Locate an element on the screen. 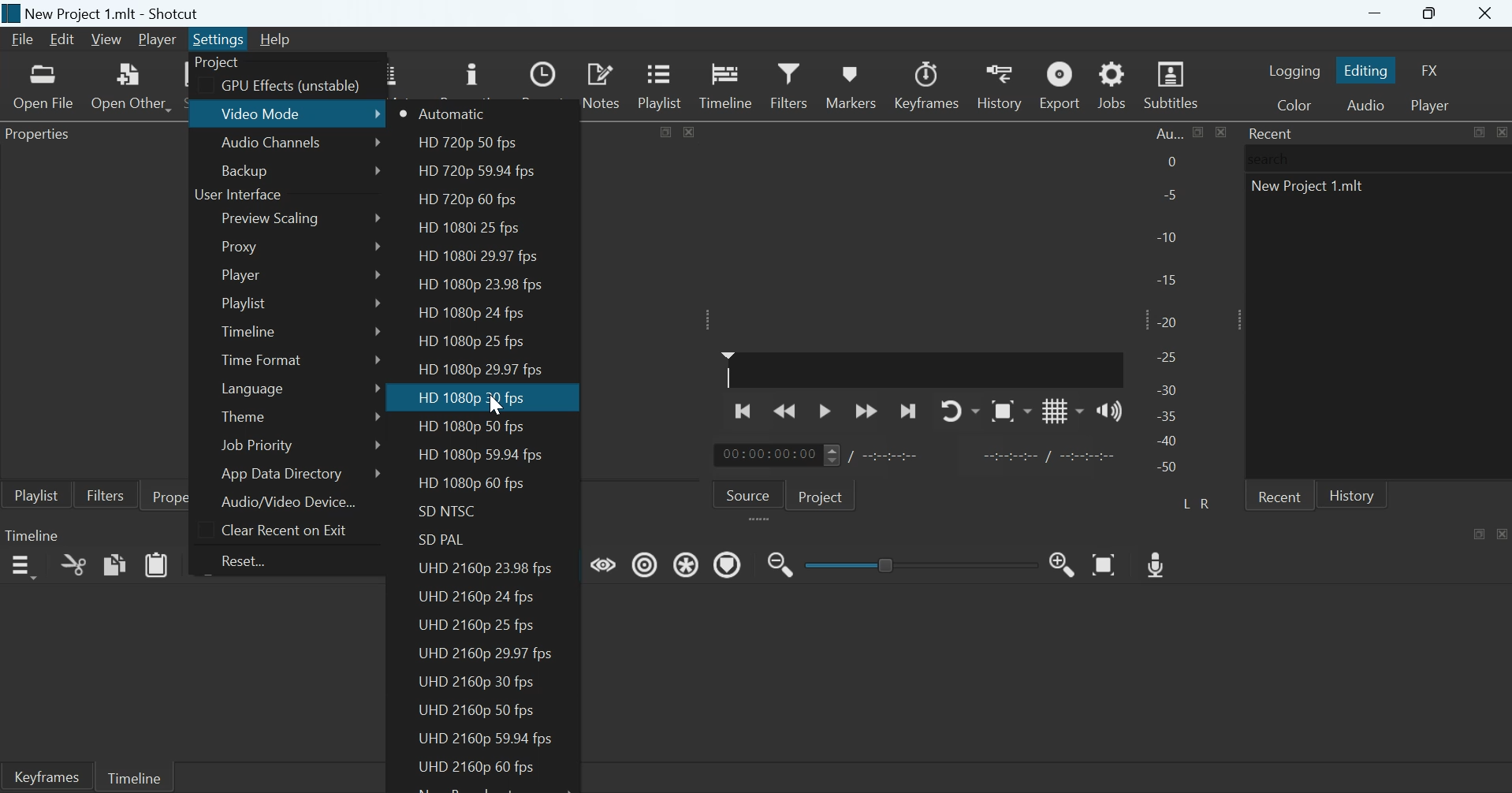 The image size is (1512, 793). Paste is located at coordinates (157, 564).